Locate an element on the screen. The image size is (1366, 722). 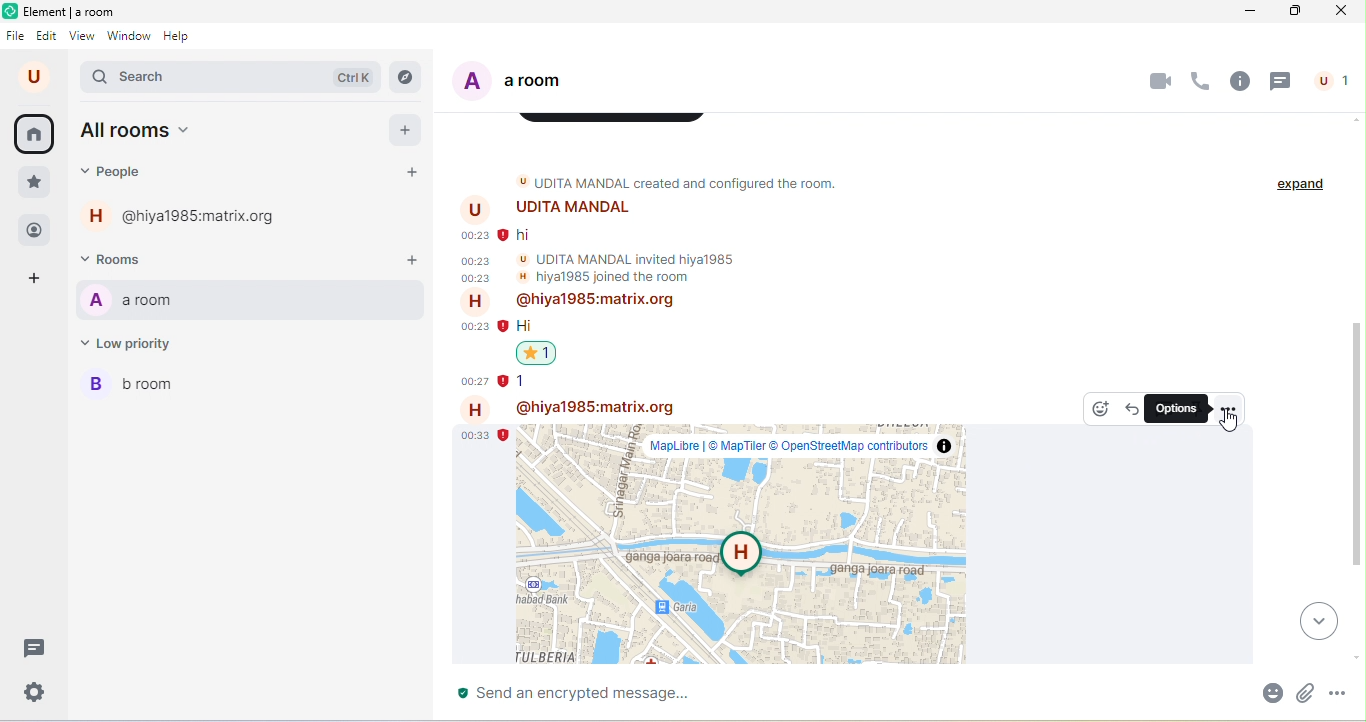
text message: "hi" is located at coordinates (524, 236).